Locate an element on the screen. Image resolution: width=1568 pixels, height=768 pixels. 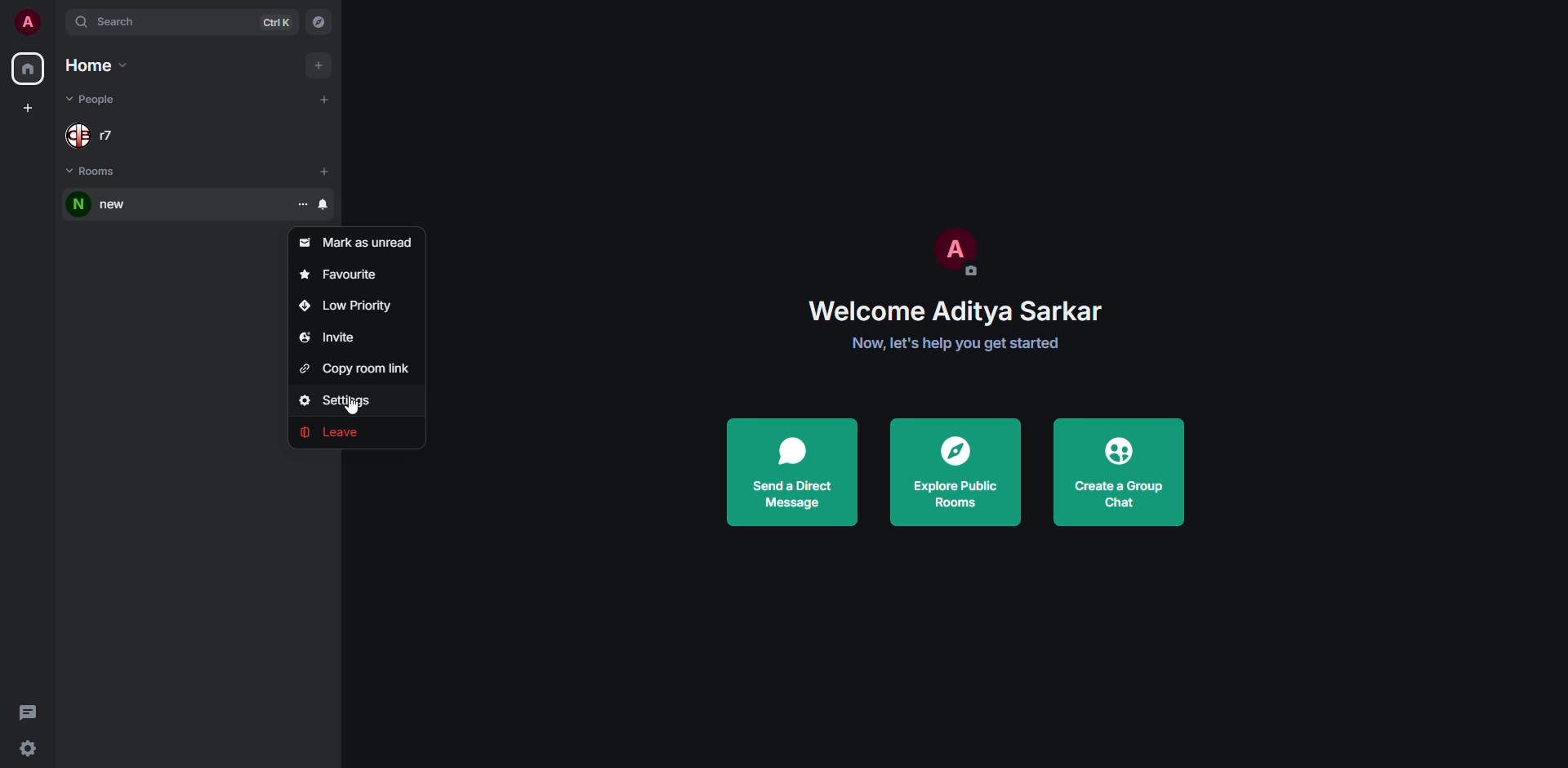
navigator is located at coordinates (319, 23).